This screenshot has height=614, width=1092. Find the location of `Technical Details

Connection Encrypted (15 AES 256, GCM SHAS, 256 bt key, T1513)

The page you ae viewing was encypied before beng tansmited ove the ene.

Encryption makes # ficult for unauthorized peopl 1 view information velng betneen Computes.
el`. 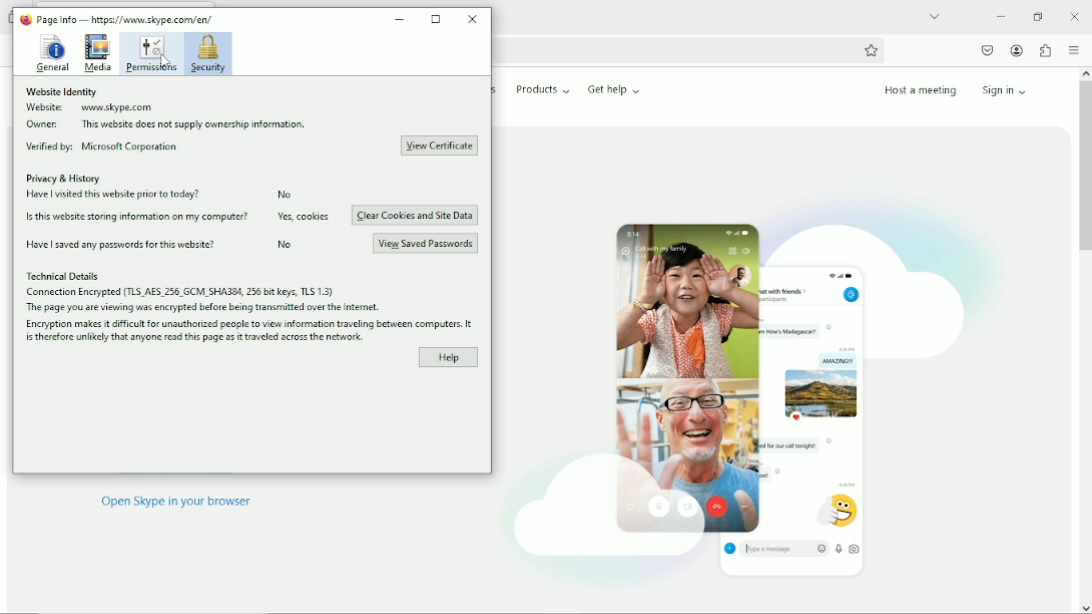

Technical Details

Connection Encrypted (15 AES 256, GCM SHAS, 256 bt key, T1513)

The page you ae viewing was encypied before beng tansmited ove the ene.

Encryption makes # ficult for unauthorized peopl 1 view information velng betneen Computes.
el is located at coordinates (249, 305).